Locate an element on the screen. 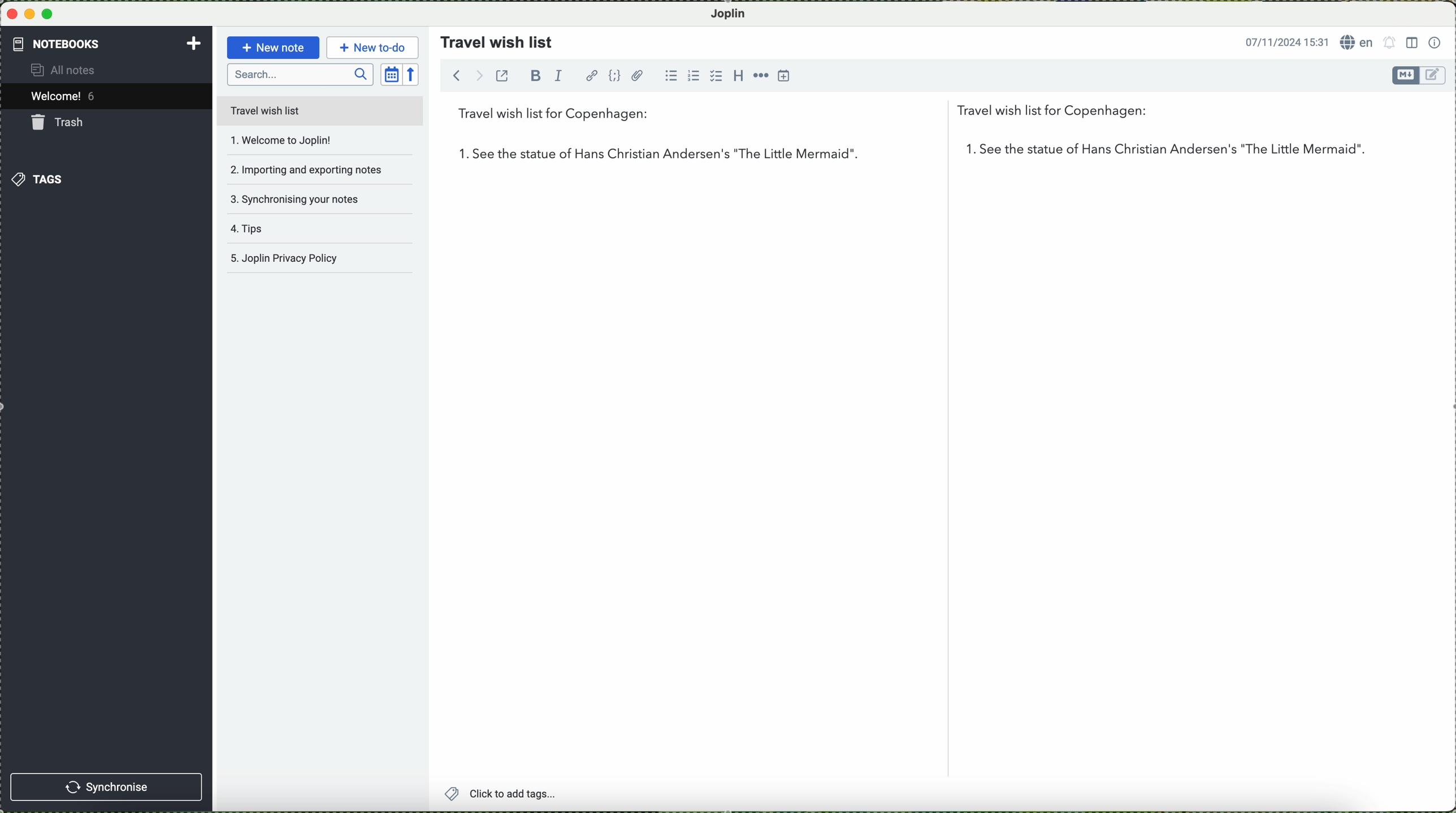  hyperlink is located at coordinates (591, 75).